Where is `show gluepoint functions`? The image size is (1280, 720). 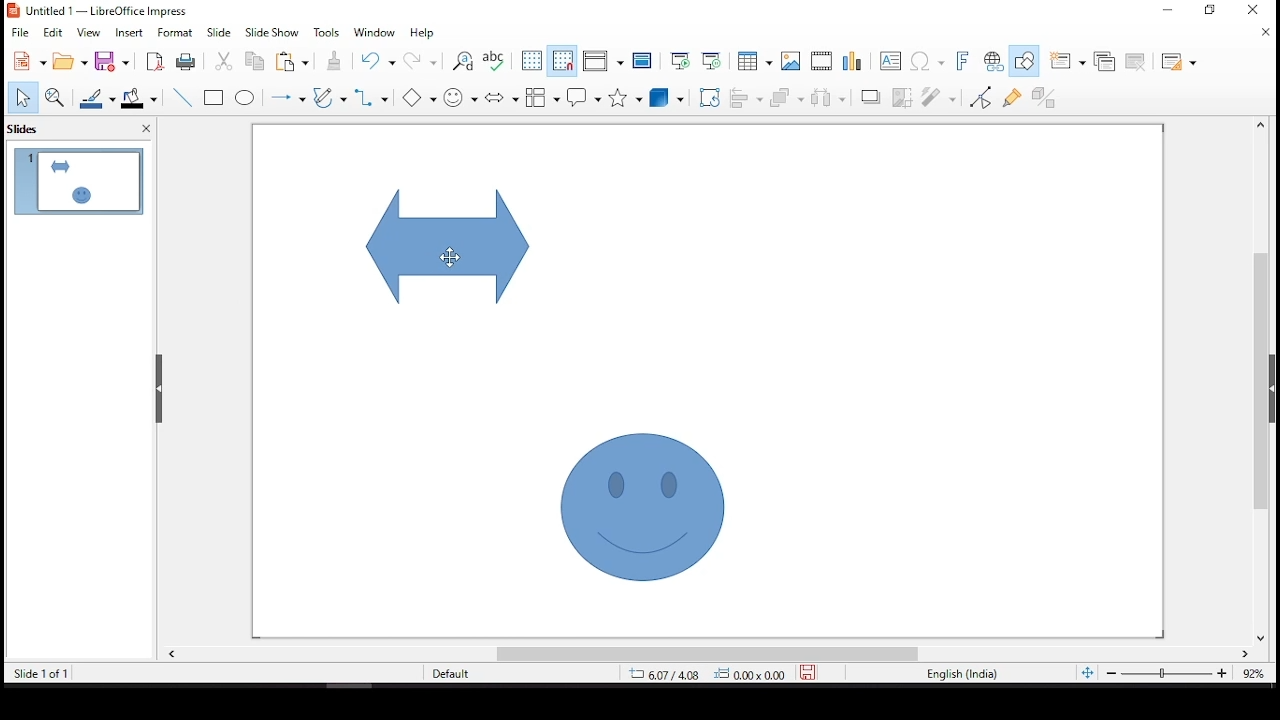 show gluepoint functions is located at coordinates (1012, 97).